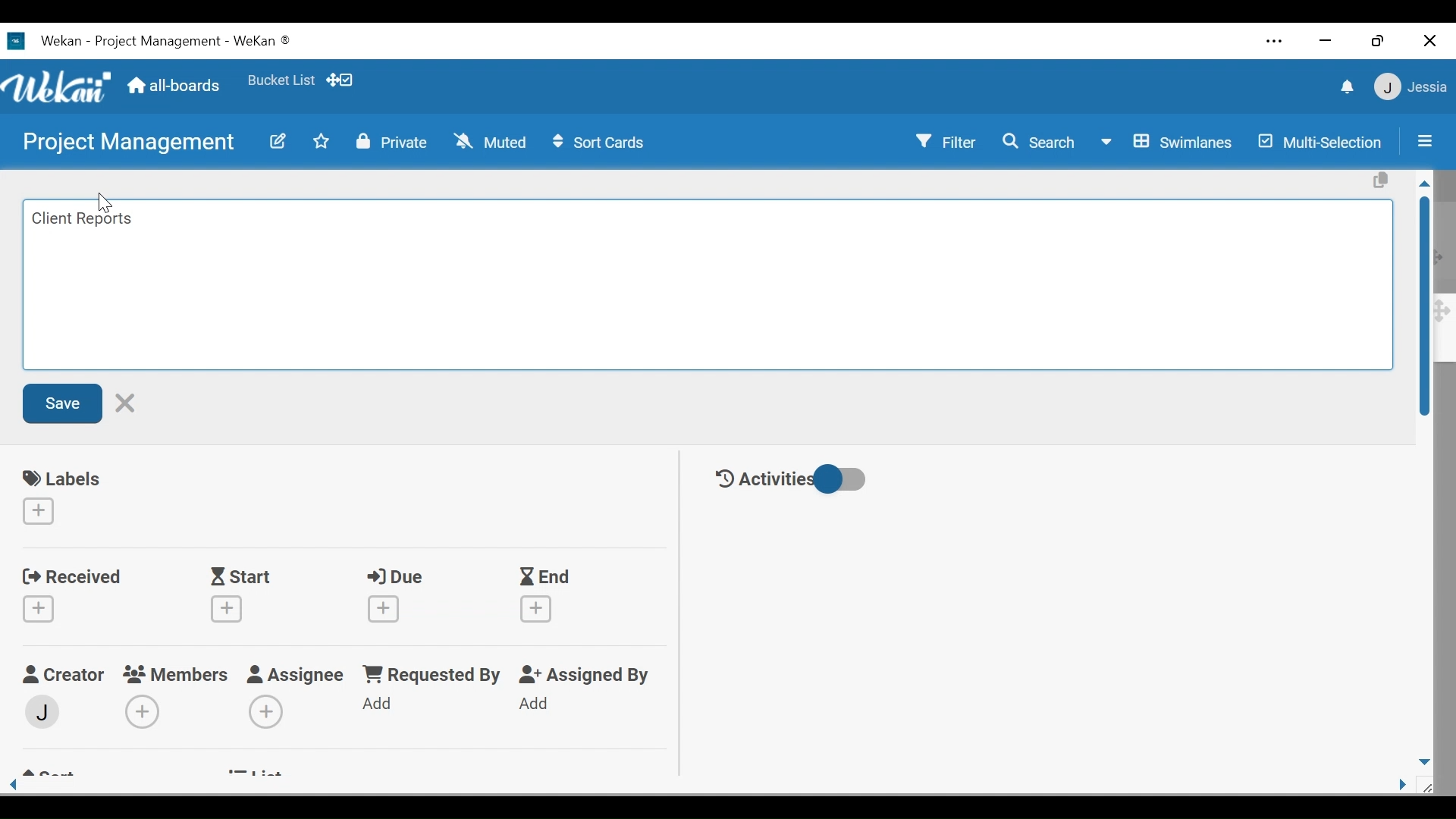  What do you see at coordinates (535, 704) in the screenshot?
I see `Add Assigned By` at bounding box center [535, 704].